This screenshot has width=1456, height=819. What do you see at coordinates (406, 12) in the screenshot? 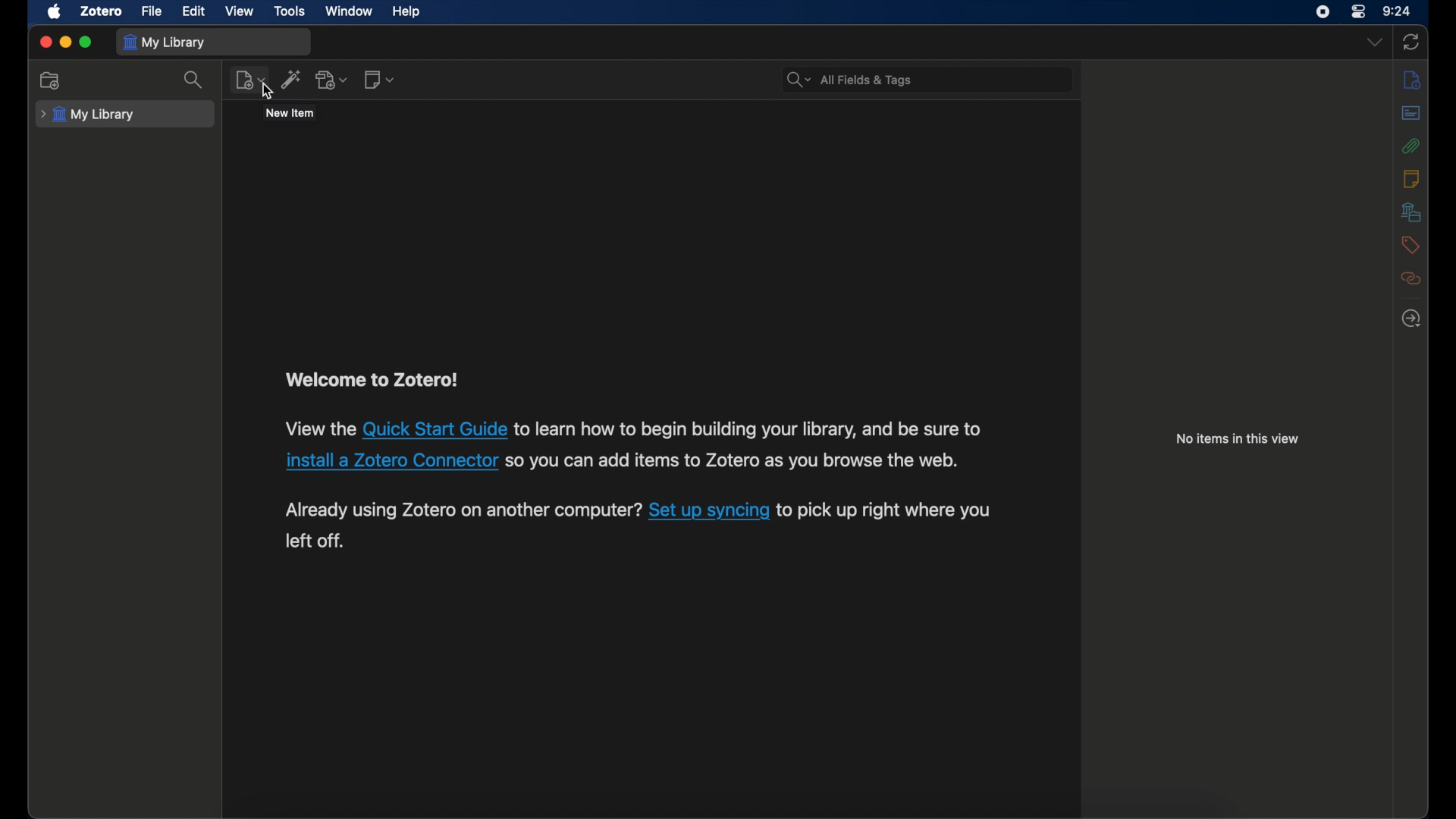
I see `help` at bounding box center [406, 12].